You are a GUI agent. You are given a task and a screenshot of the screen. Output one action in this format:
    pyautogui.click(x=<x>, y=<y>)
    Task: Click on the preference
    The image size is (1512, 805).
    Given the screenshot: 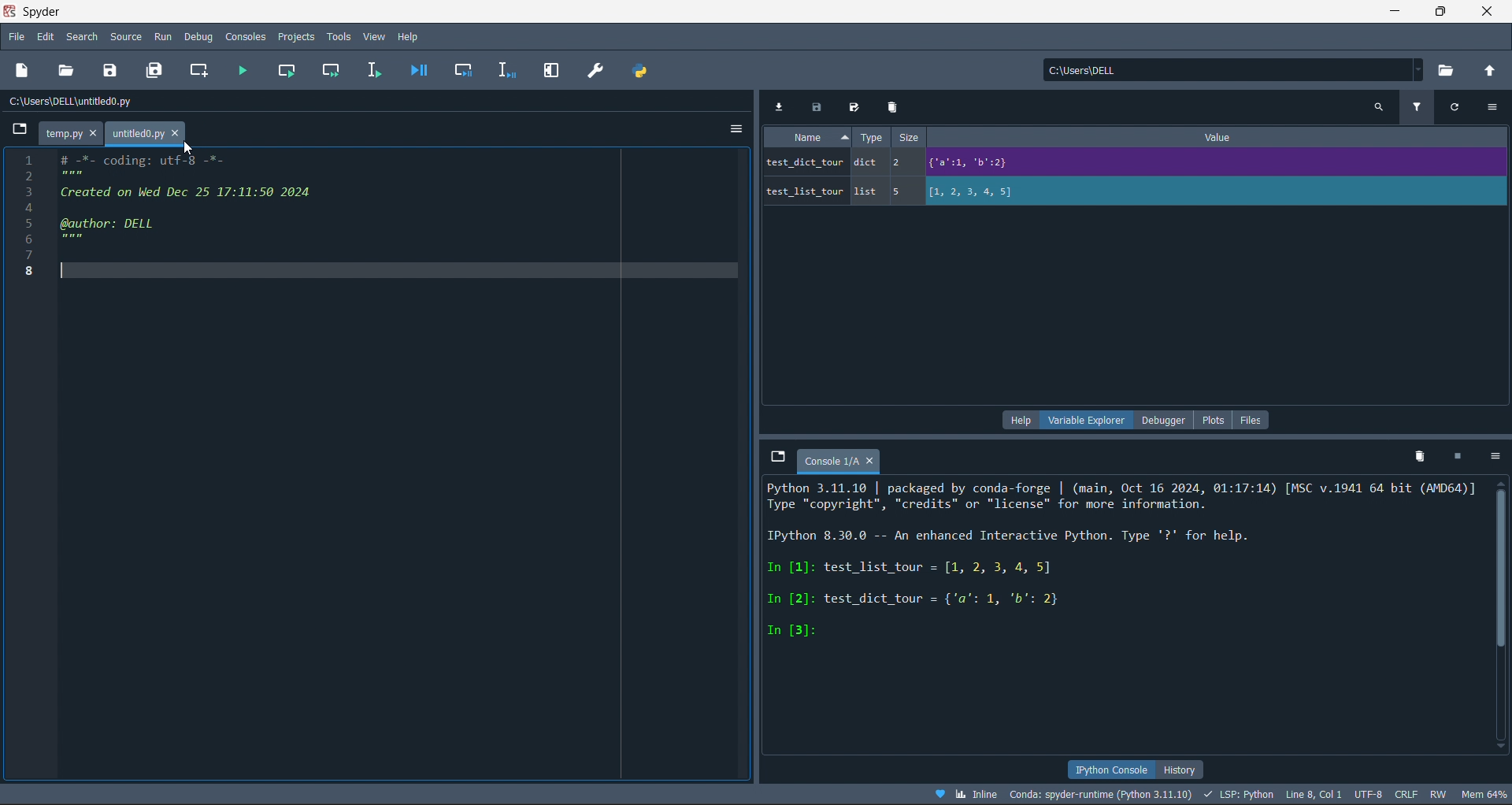 What is the action you would take?
    pyautogui.click(x=597, y=70)
    